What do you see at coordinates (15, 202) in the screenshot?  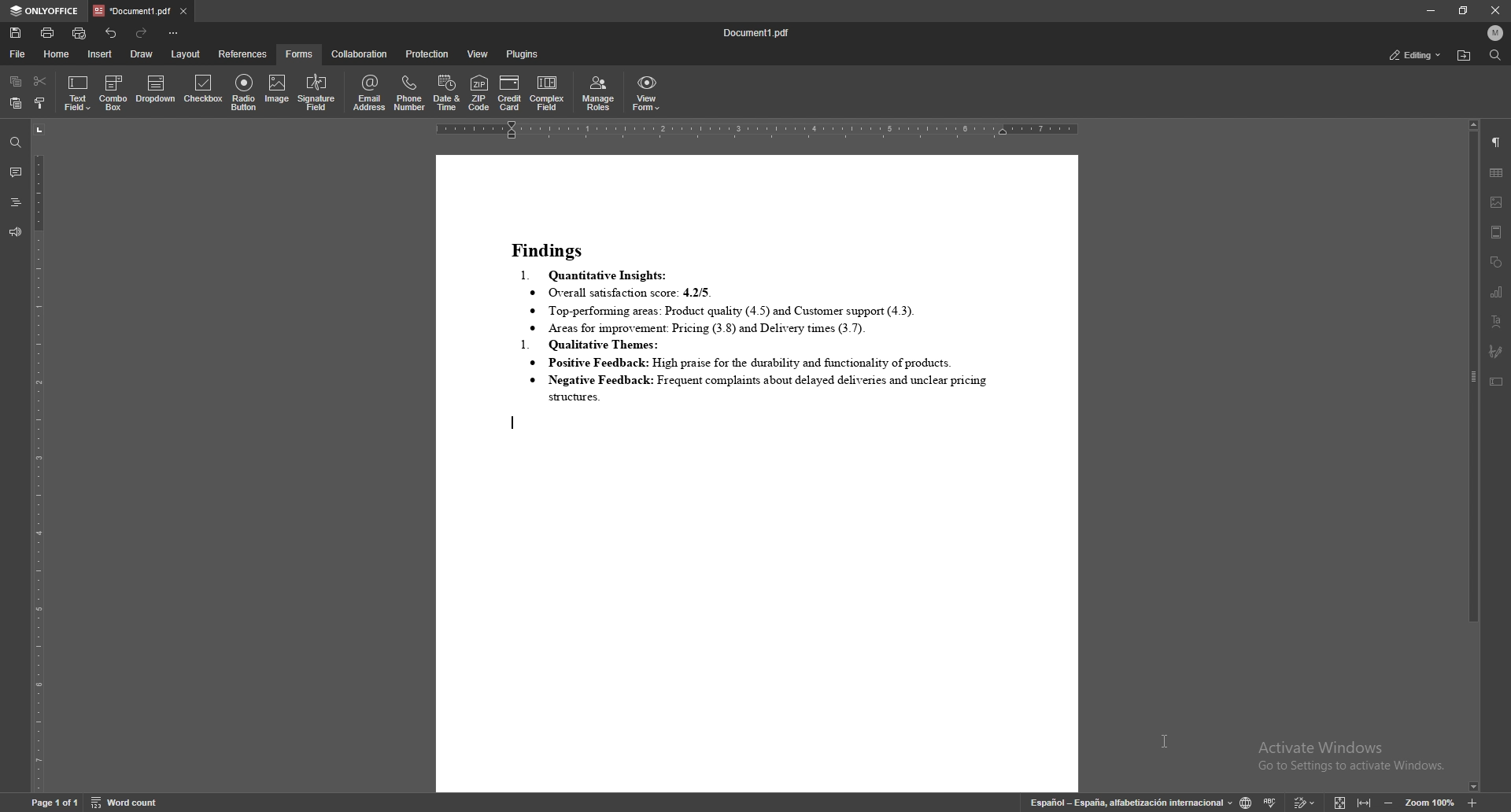 I see `headings` at bounding box center [15, 202].